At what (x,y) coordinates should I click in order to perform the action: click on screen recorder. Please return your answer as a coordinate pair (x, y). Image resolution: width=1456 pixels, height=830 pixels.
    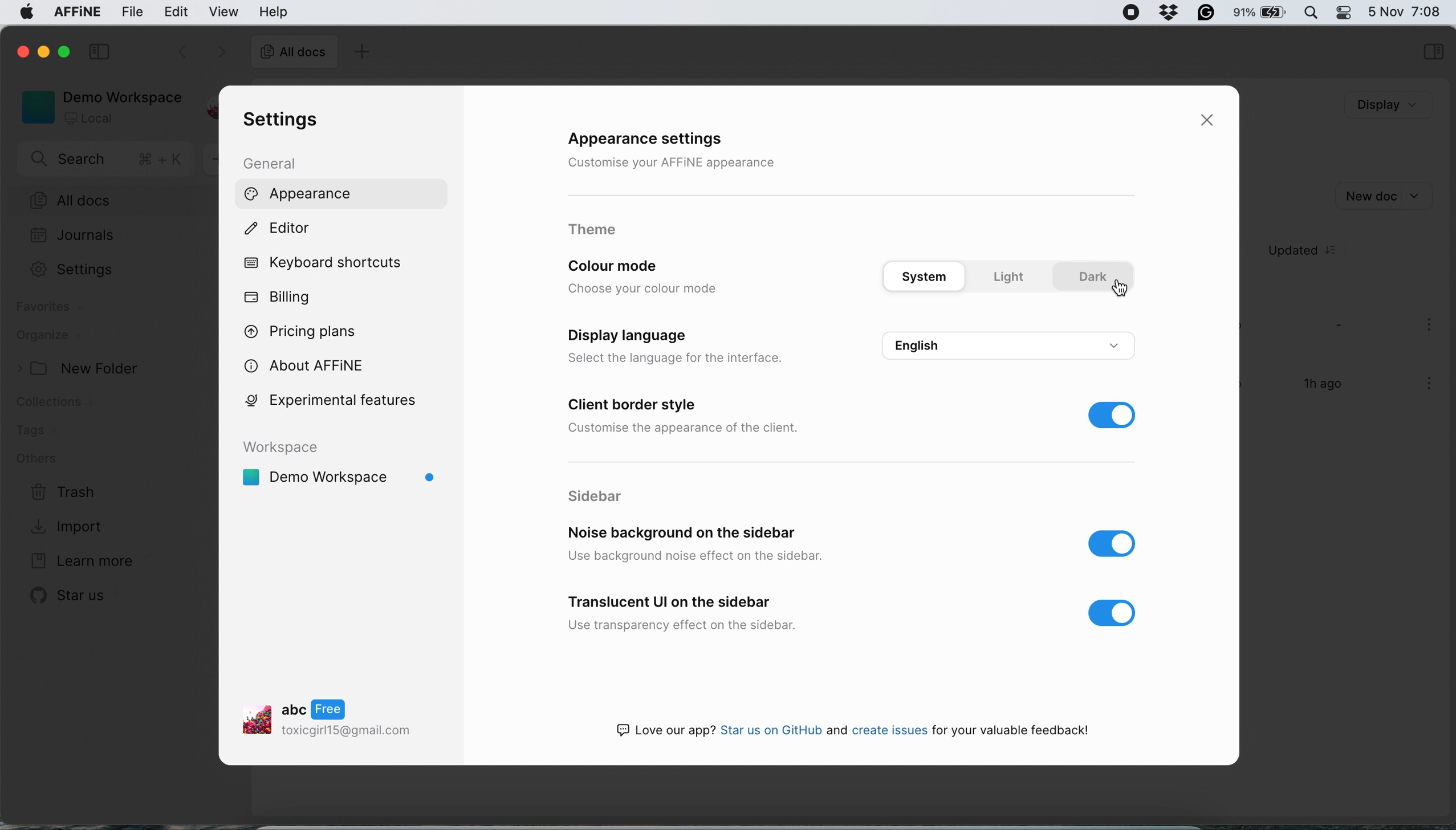
    Looking at the image, I should click on (1132, 13).